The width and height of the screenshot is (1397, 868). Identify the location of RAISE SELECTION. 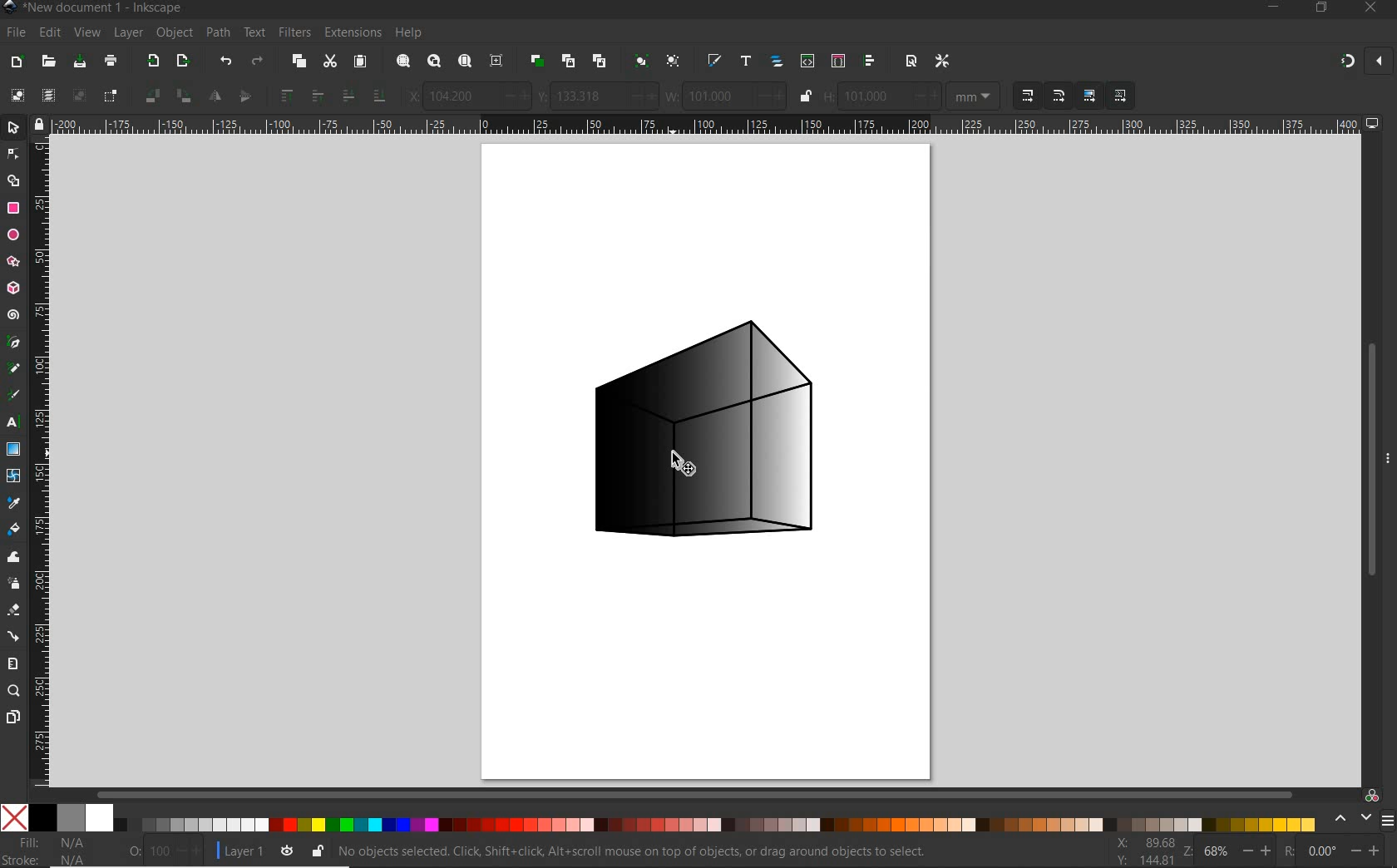
(317, 95).